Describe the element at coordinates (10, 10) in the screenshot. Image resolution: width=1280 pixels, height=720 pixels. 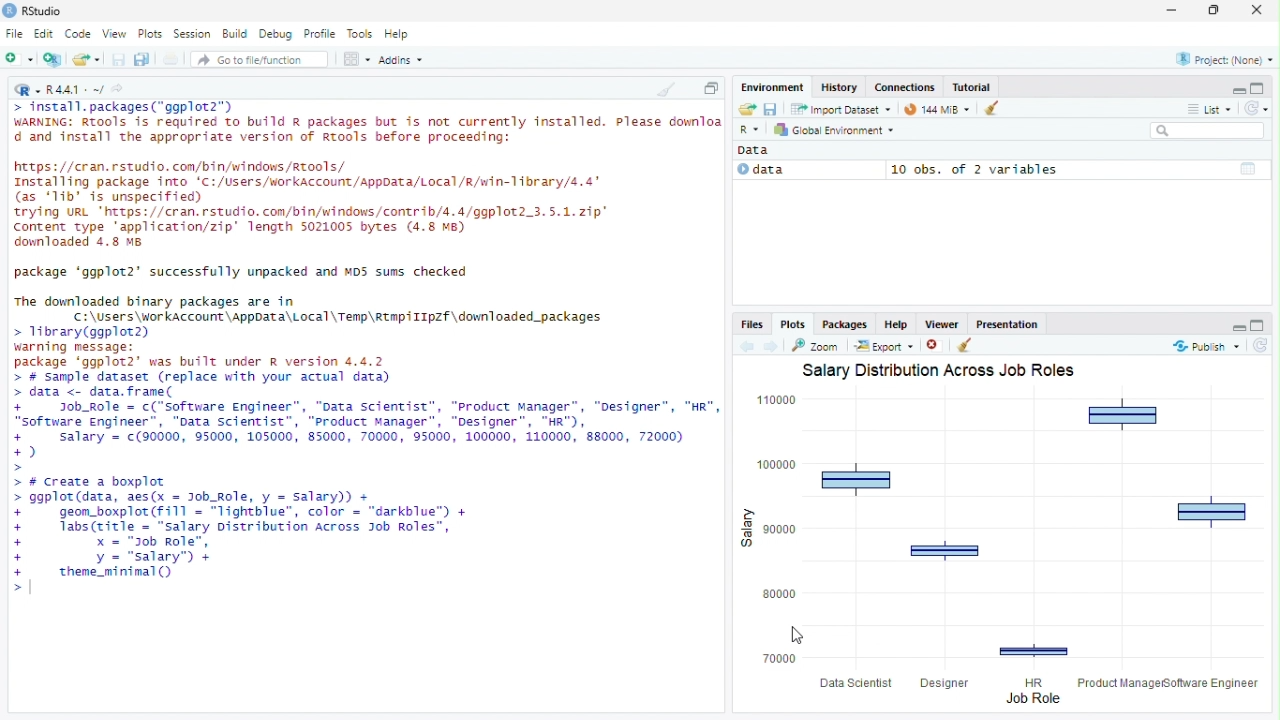
I see `Logo` at that location.